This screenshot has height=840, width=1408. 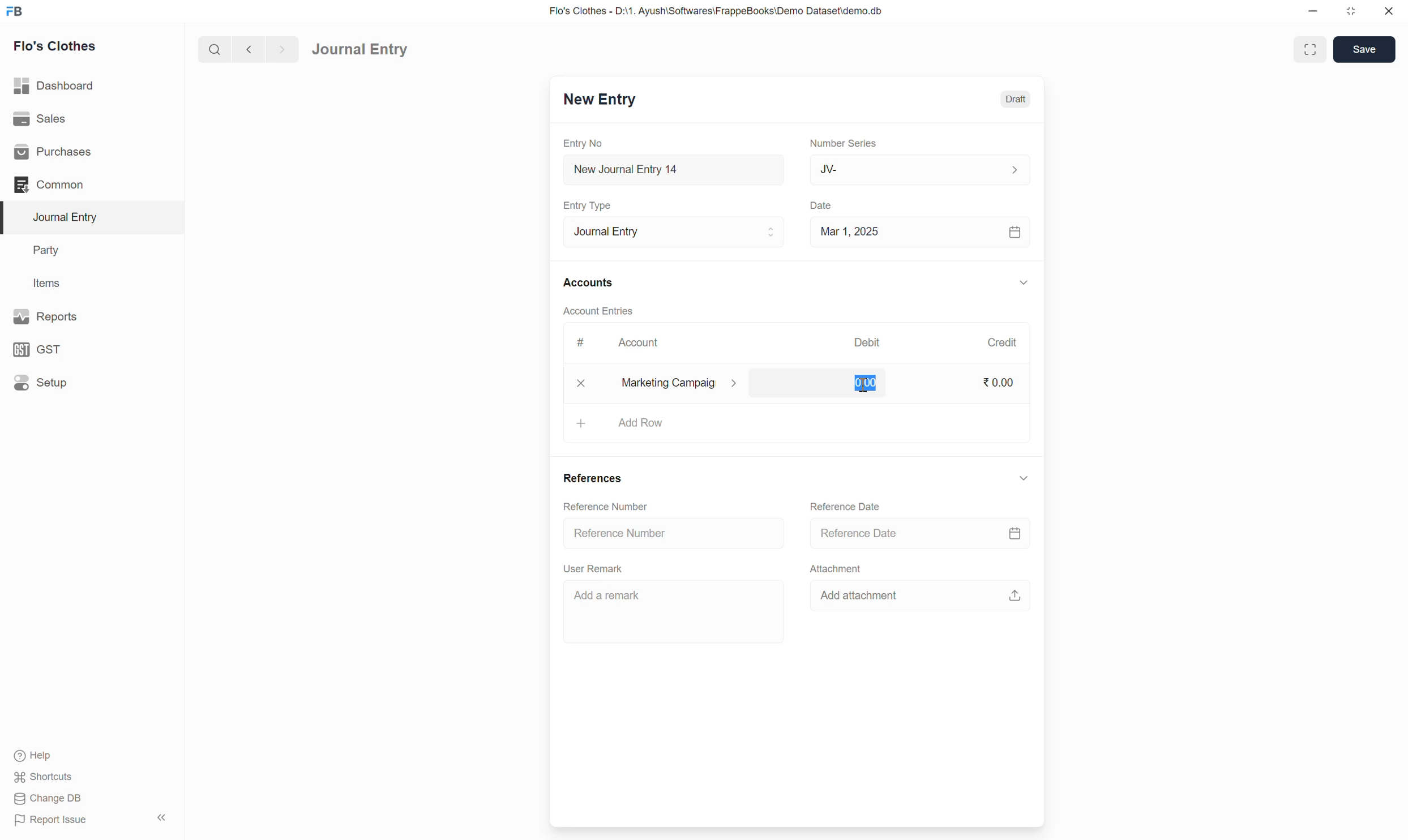 I want to click on resize, so click(x=1349, y=11).